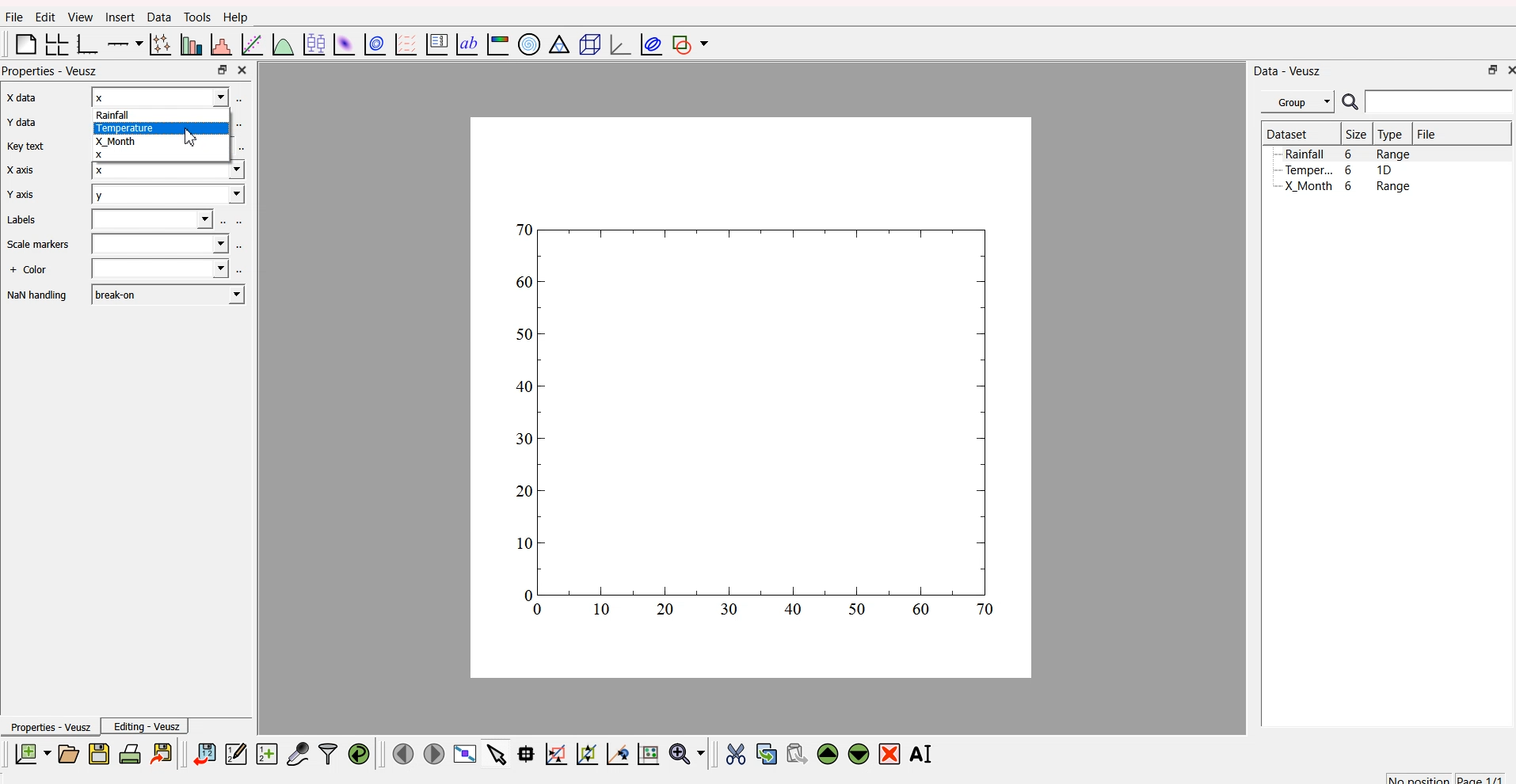  What do you see at coordinates (156, 18) in the screenshot?
I see `Data` at bounding box center [156, 18].